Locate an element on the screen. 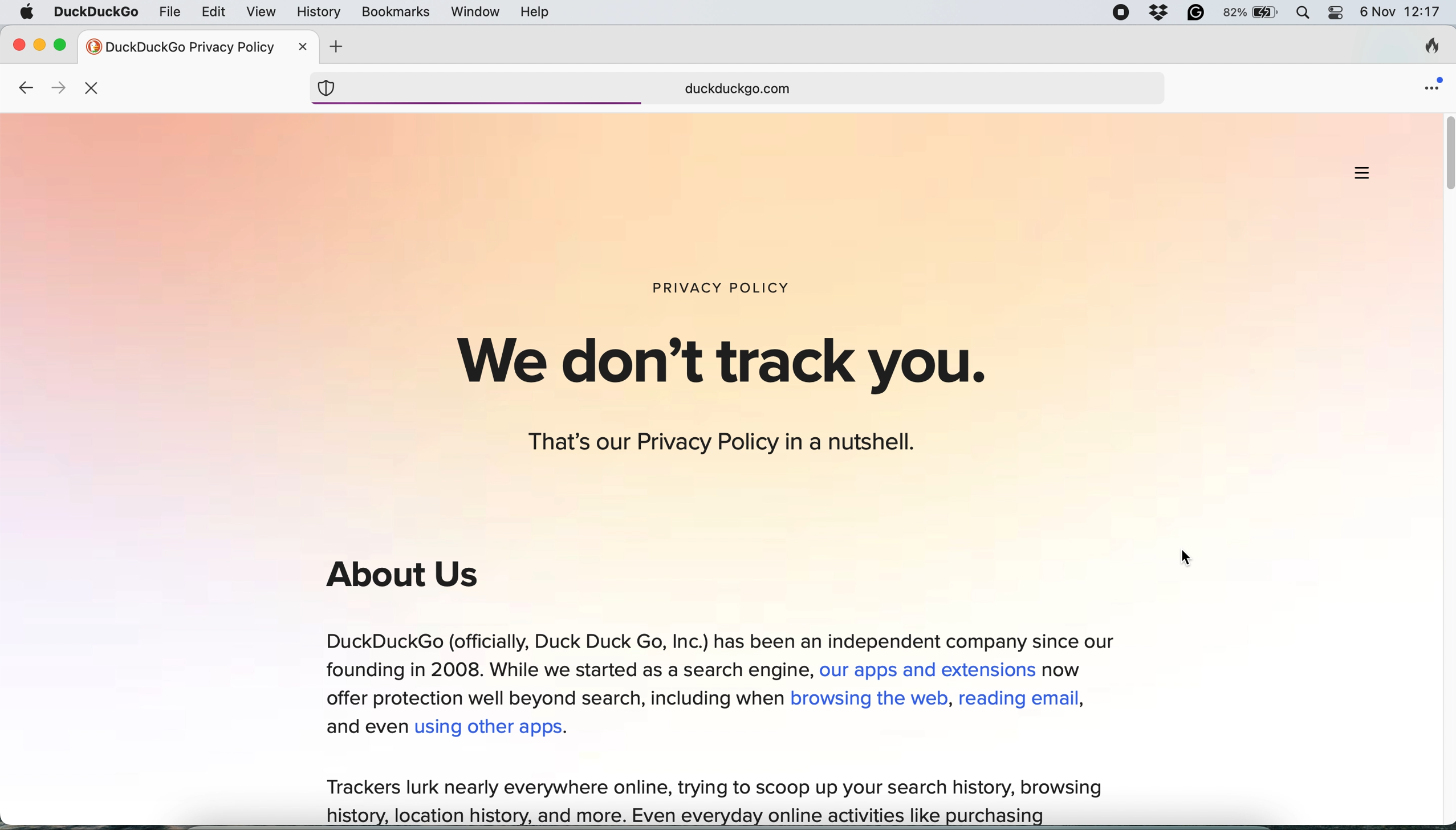 Image resolution: width=1456 pixels, height=830 pixels. file is located at coordinates (172, 11).